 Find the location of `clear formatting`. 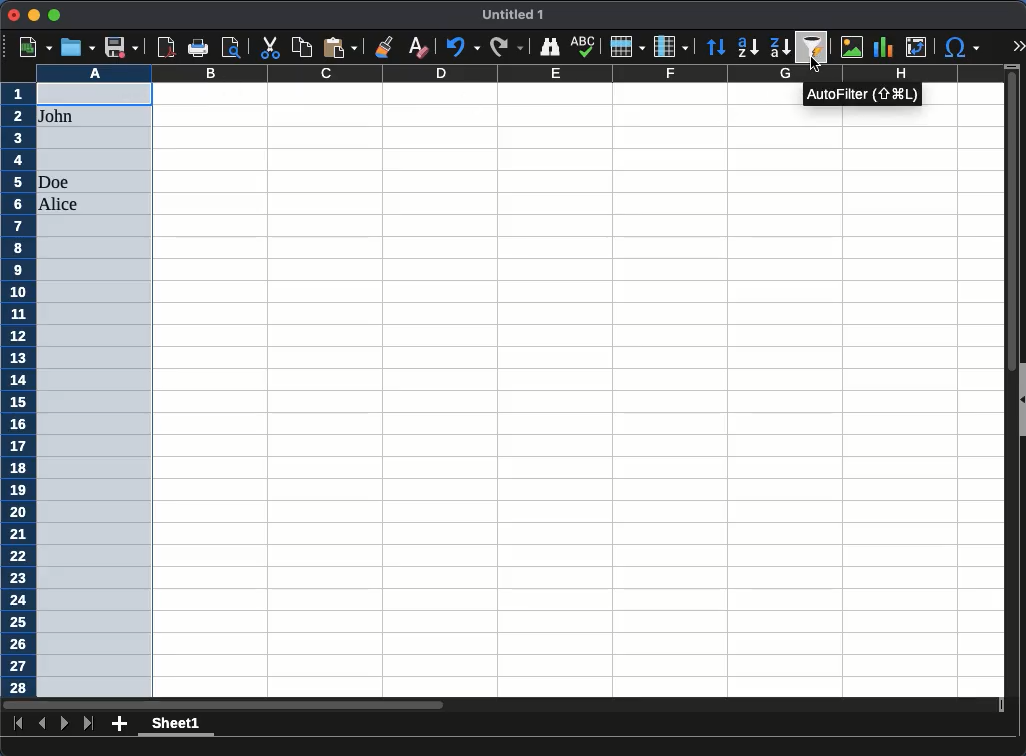

clear formatting is located at coordinates (417, 48).